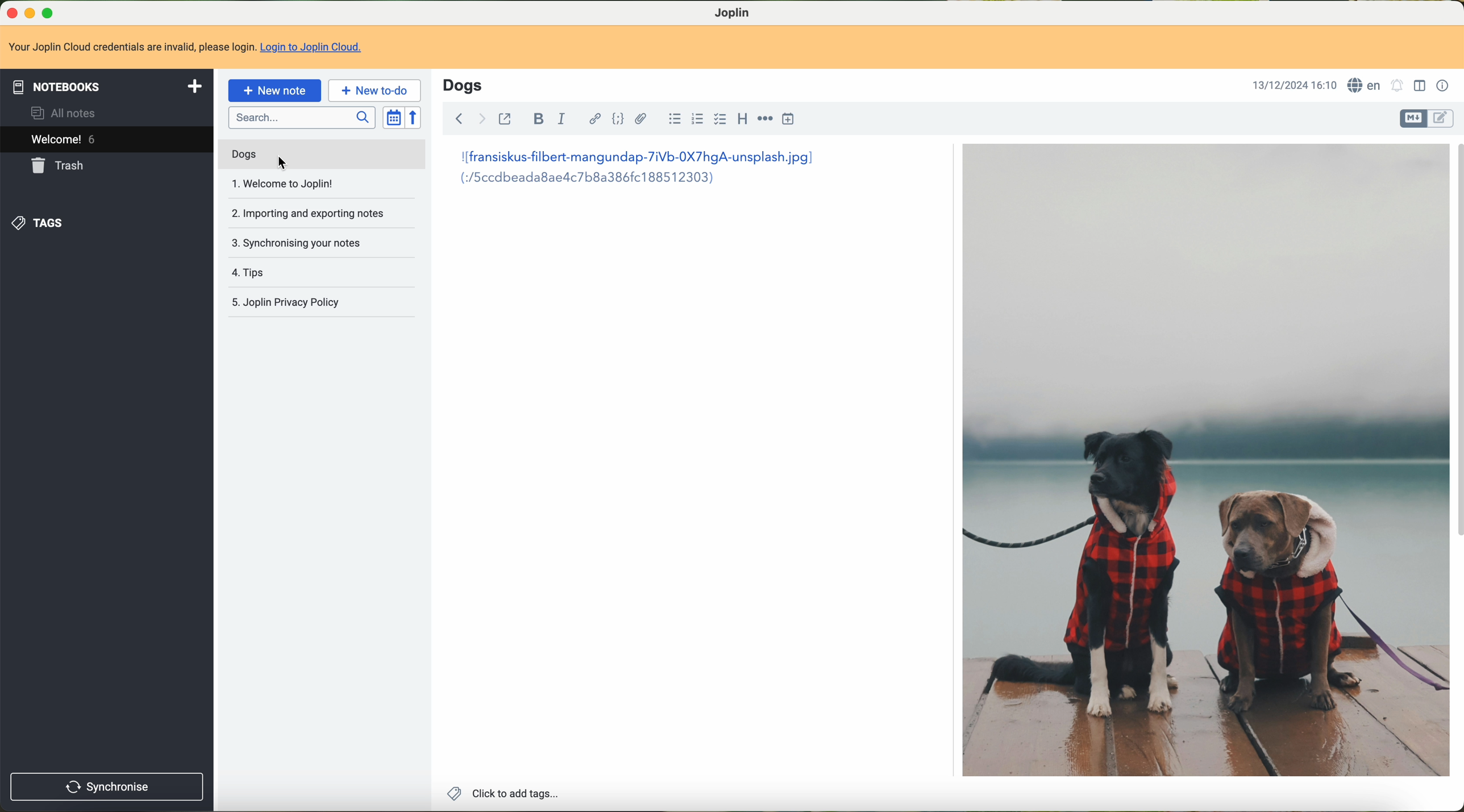 This screenshot has height=812, width=1464. I want to click on tips note, so click(252, 272).